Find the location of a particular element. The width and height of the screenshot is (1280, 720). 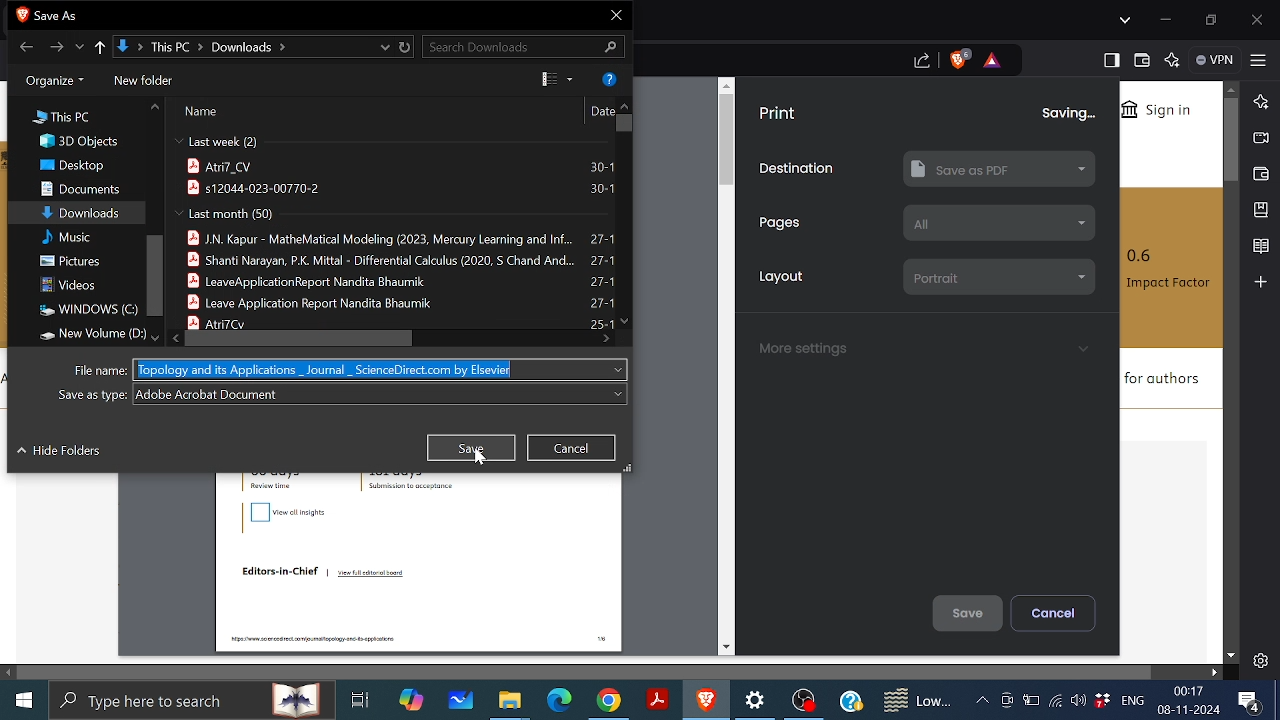

Move up is located at coordinates (157, 107).